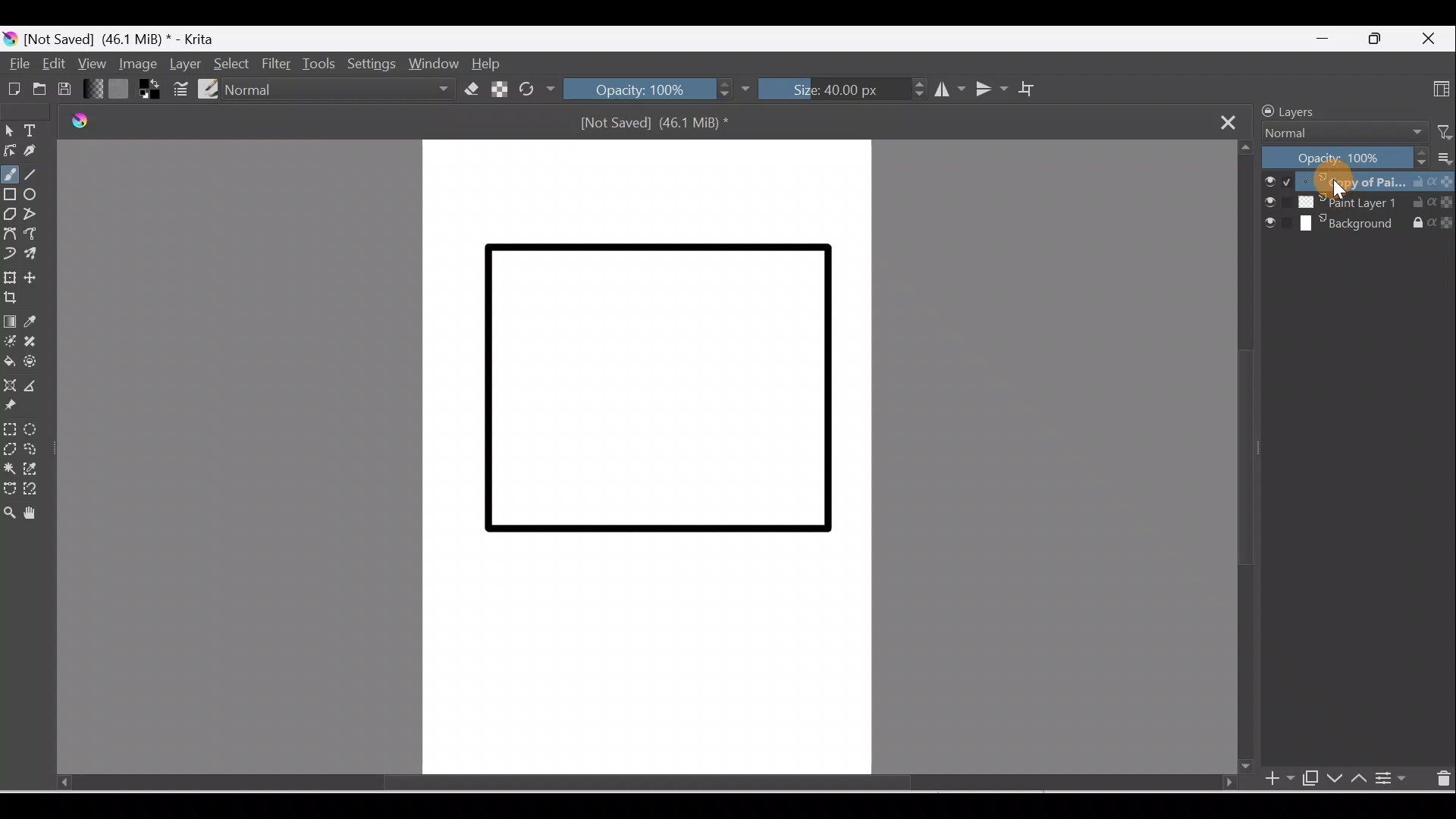 The height and width of the screenshot is (819, 1456). I want to click on Paint Layer 1, so click(1357, 206).